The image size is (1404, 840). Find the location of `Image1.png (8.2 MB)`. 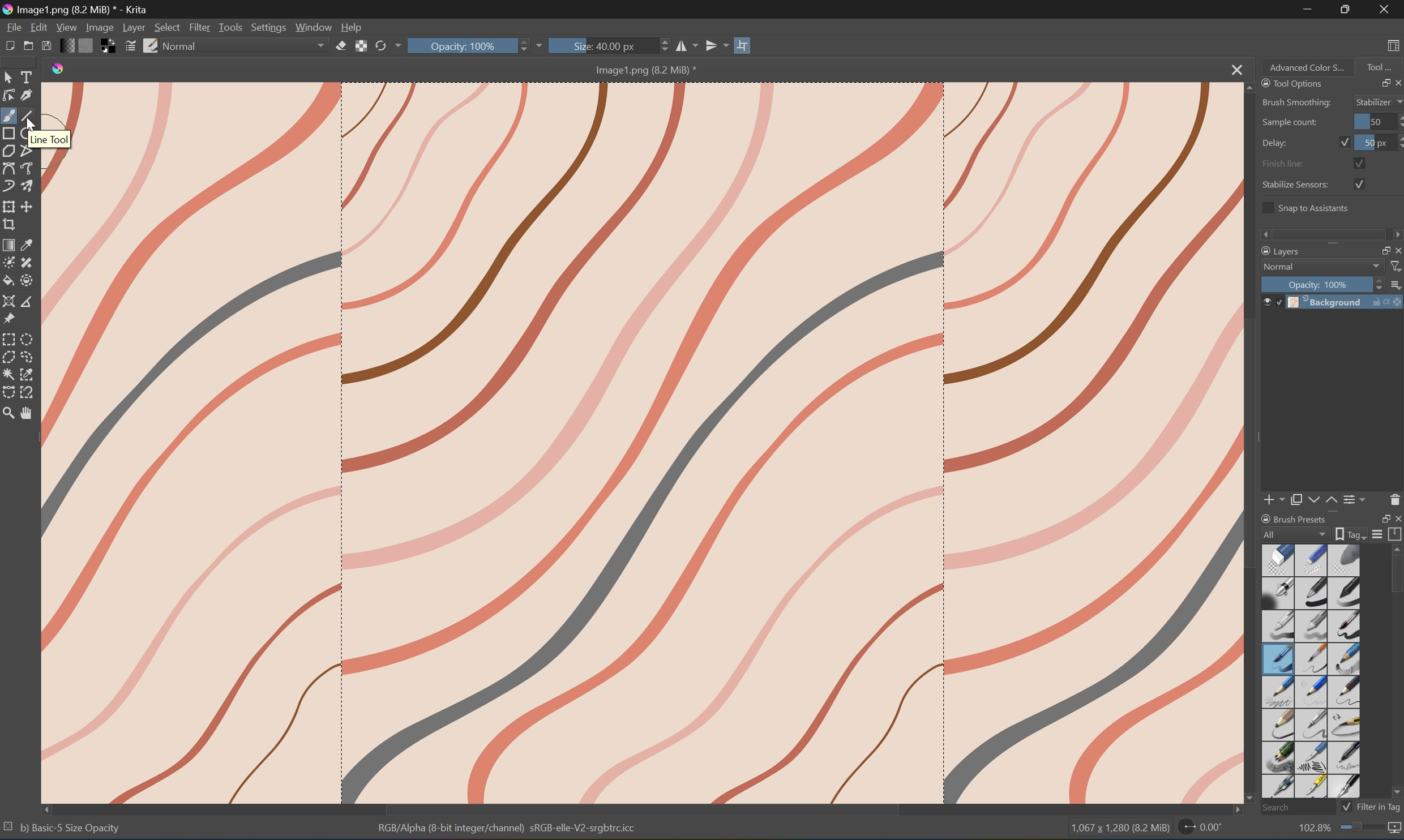

Image1.png (8.2 MB) is located at coordinates (641, 70).